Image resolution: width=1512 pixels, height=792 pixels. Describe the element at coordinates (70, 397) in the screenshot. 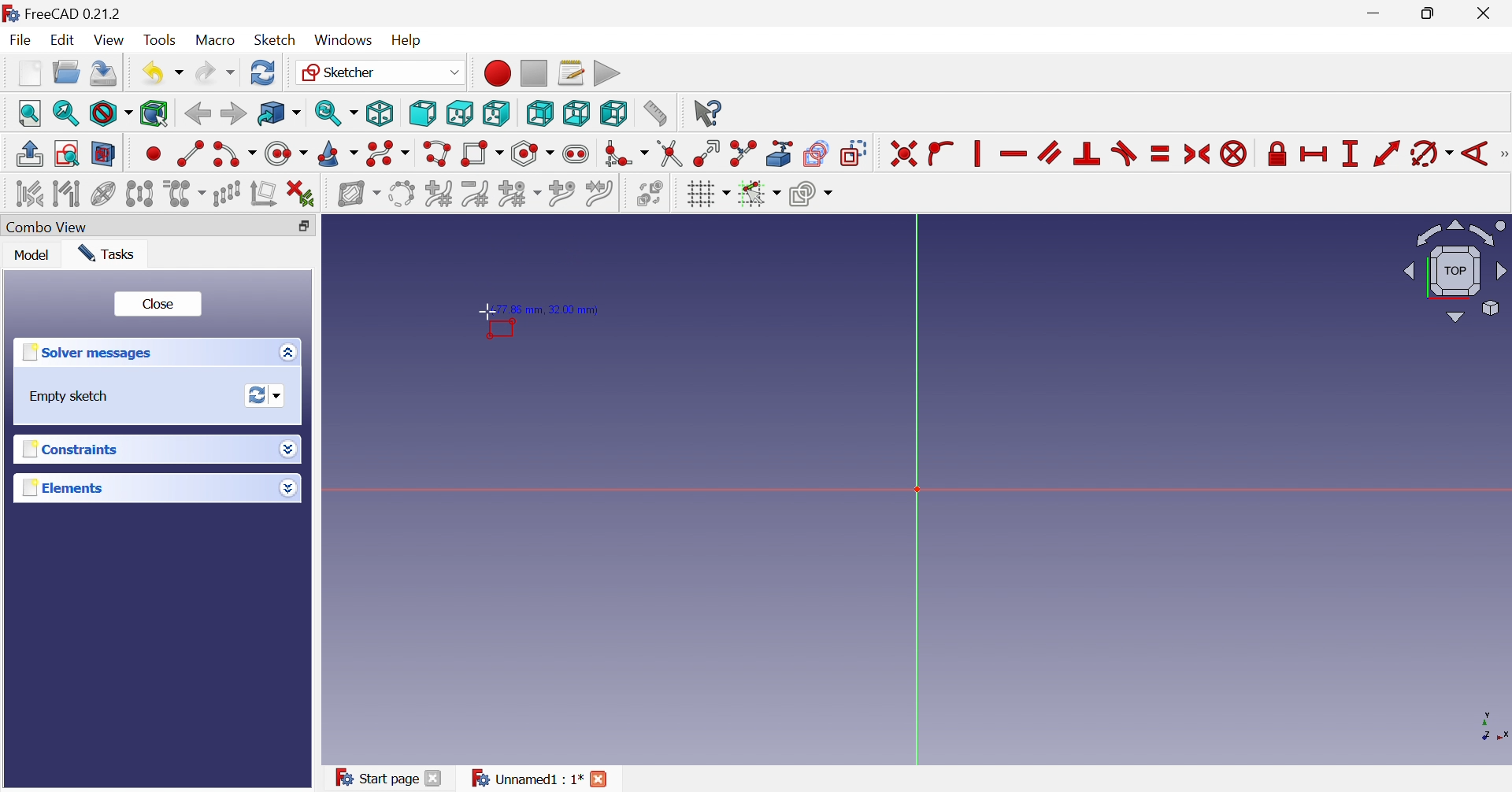

I see `Empty sketch` at that location.